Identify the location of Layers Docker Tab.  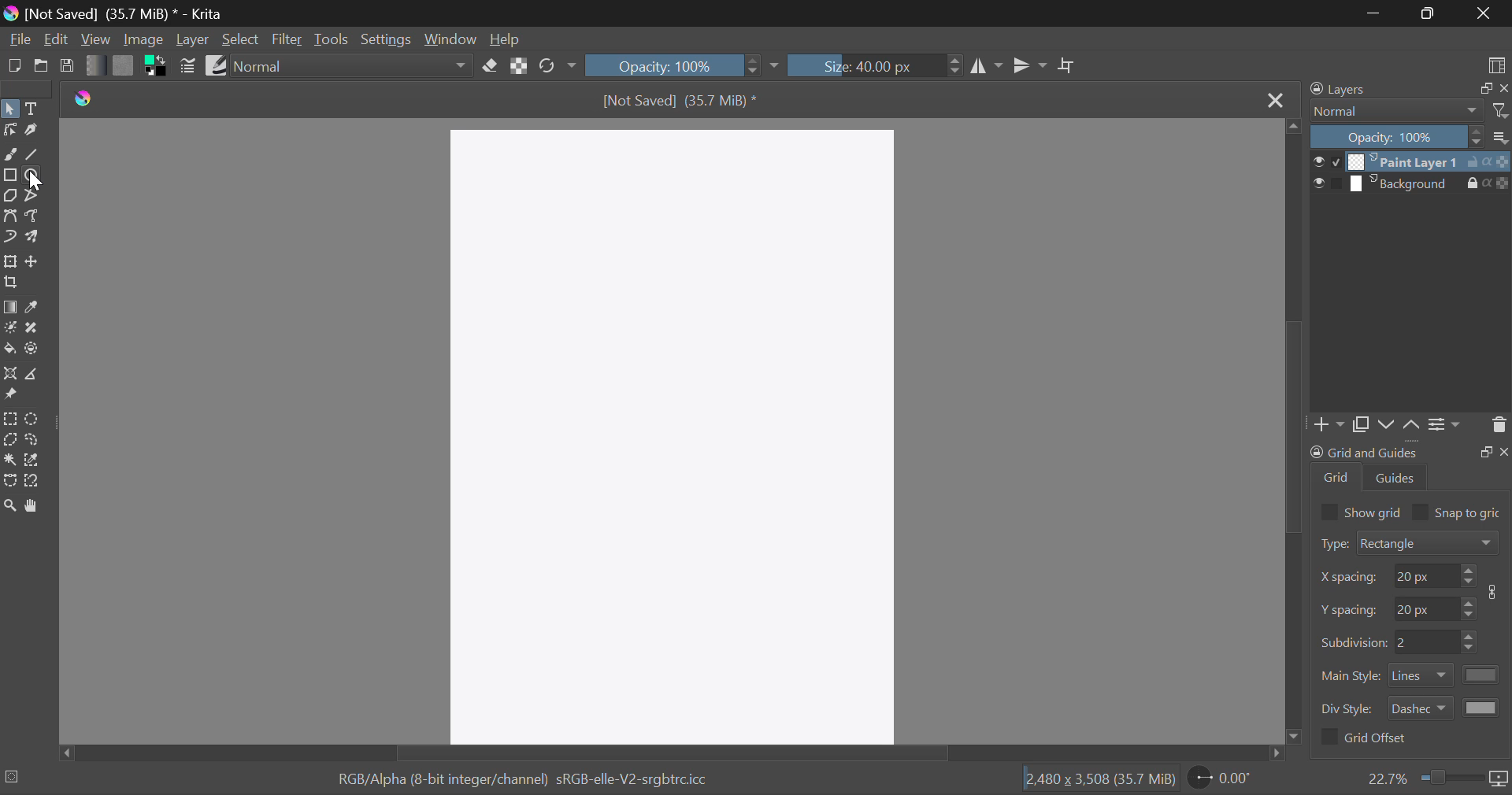
(1405, 91).